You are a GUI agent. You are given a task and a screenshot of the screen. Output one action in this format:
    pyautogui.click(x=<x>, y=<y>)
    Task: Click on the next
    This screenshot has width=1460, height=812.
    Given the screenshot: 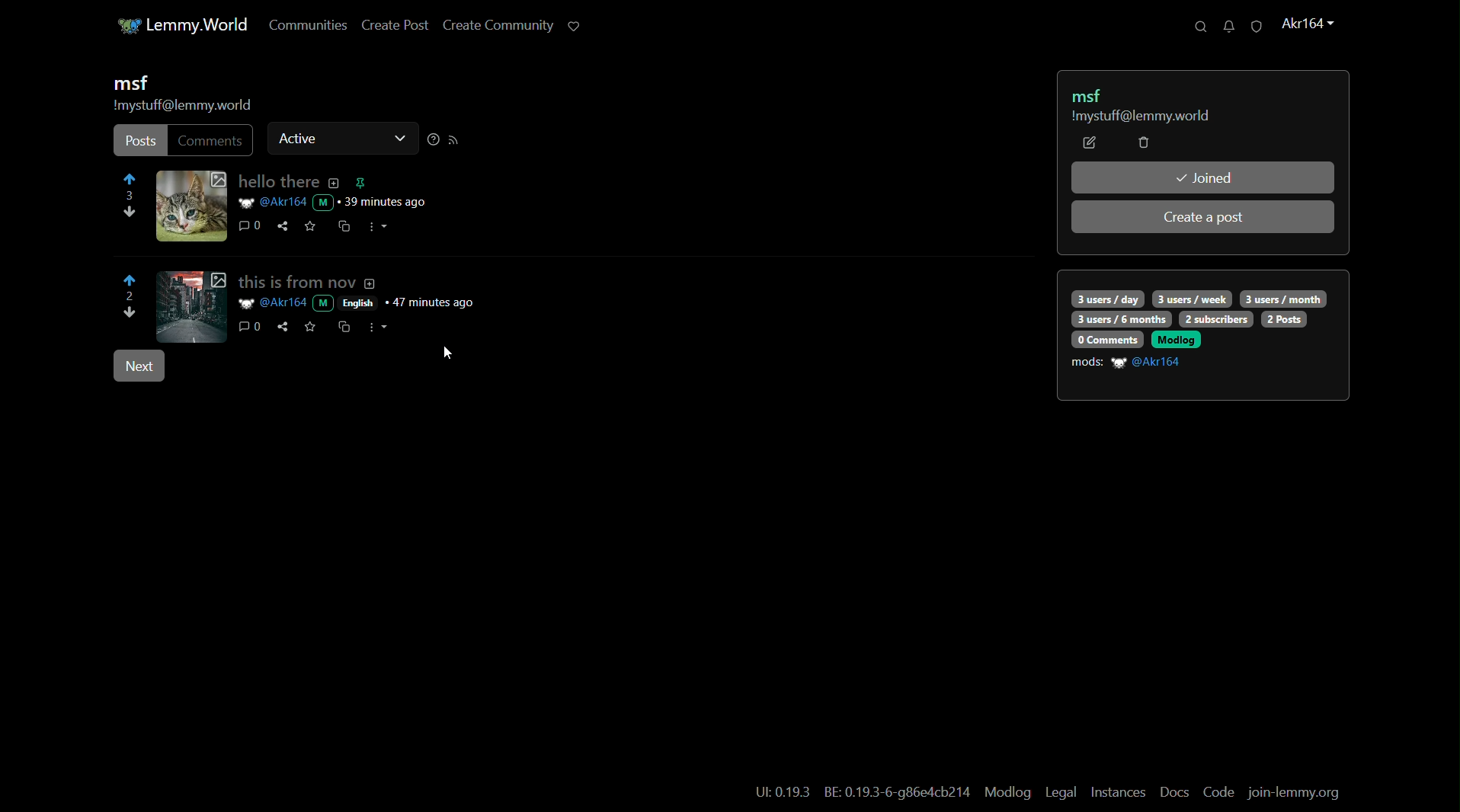 What is the action you would take?
    pyautogui.click(x=138, y=367)
    